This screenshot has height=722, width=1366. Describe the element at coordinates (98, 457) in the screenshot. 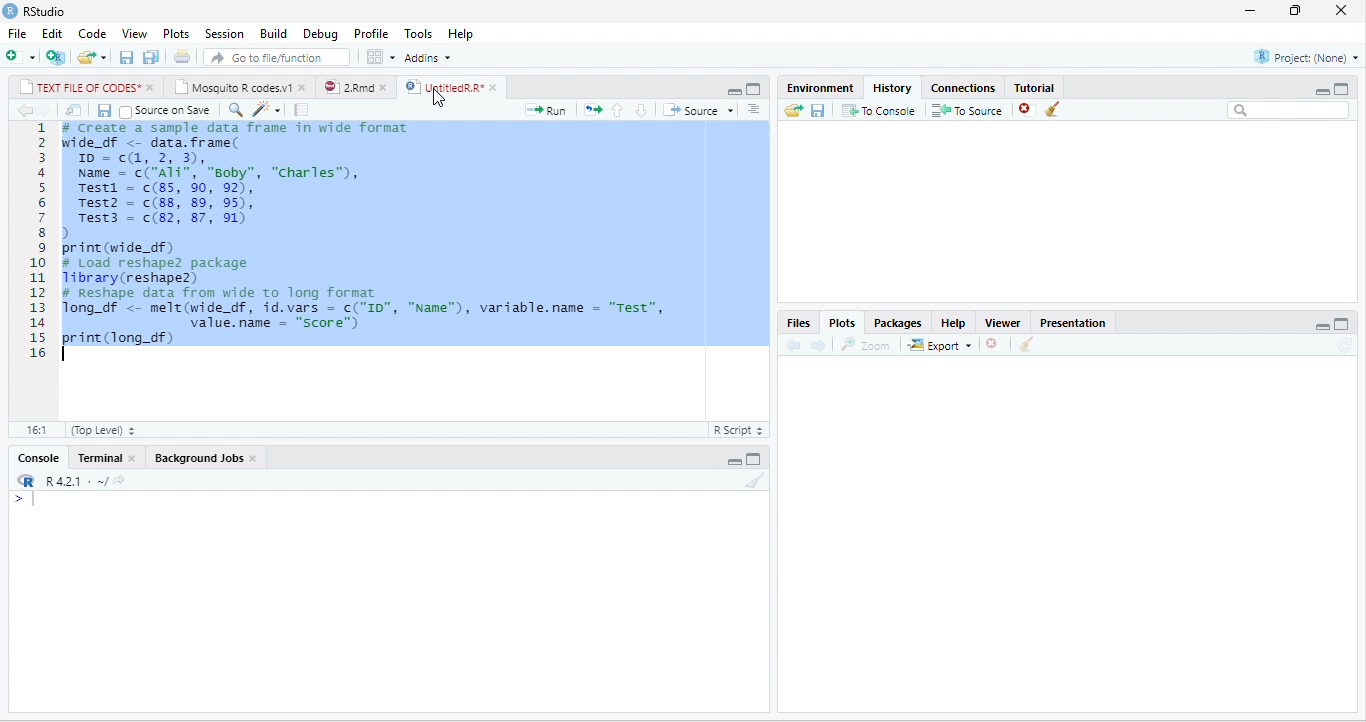

I see `Terminal` at that location.